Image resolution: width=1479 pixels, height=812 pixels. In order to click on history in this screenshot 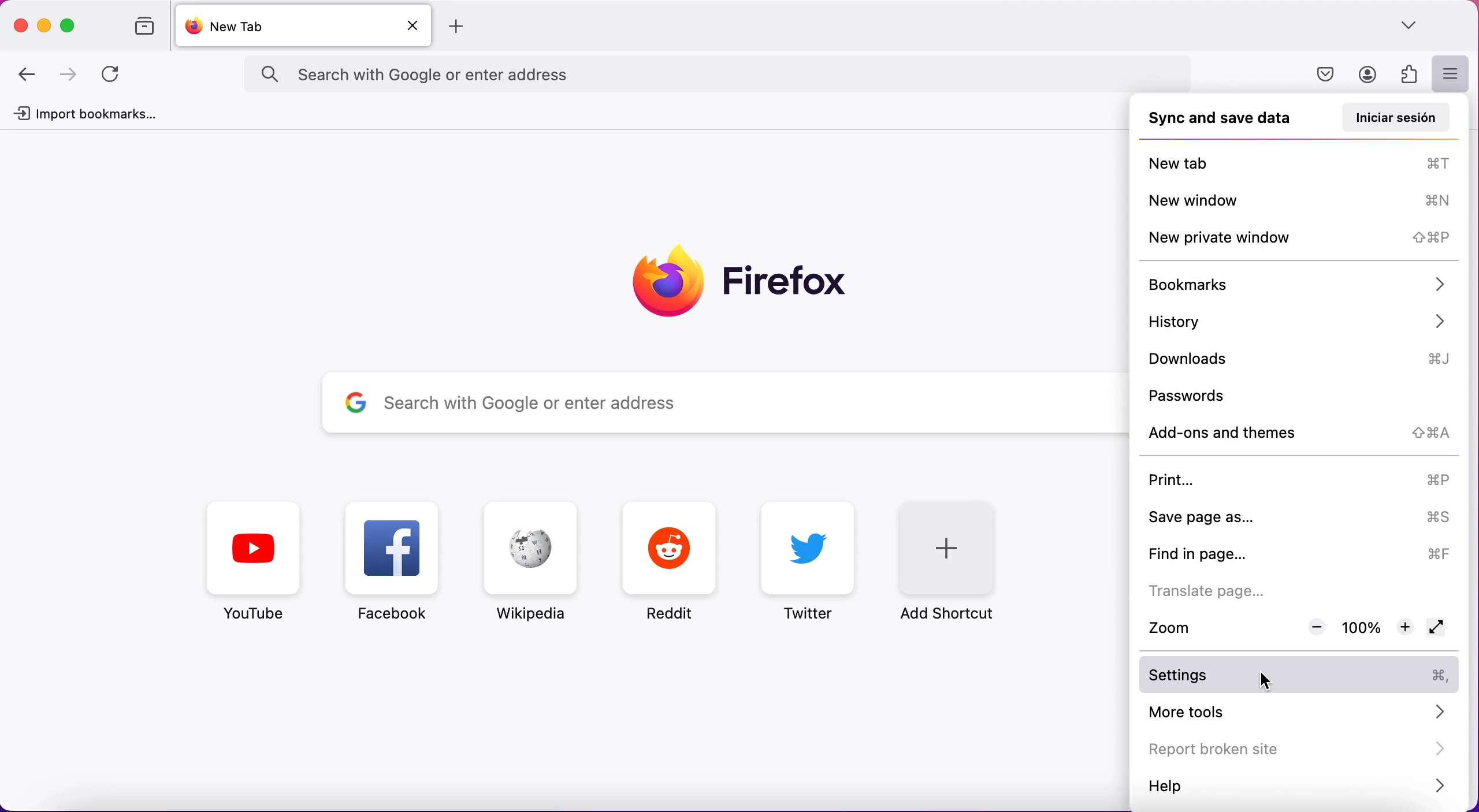, I will do `click(1297, 322)`.